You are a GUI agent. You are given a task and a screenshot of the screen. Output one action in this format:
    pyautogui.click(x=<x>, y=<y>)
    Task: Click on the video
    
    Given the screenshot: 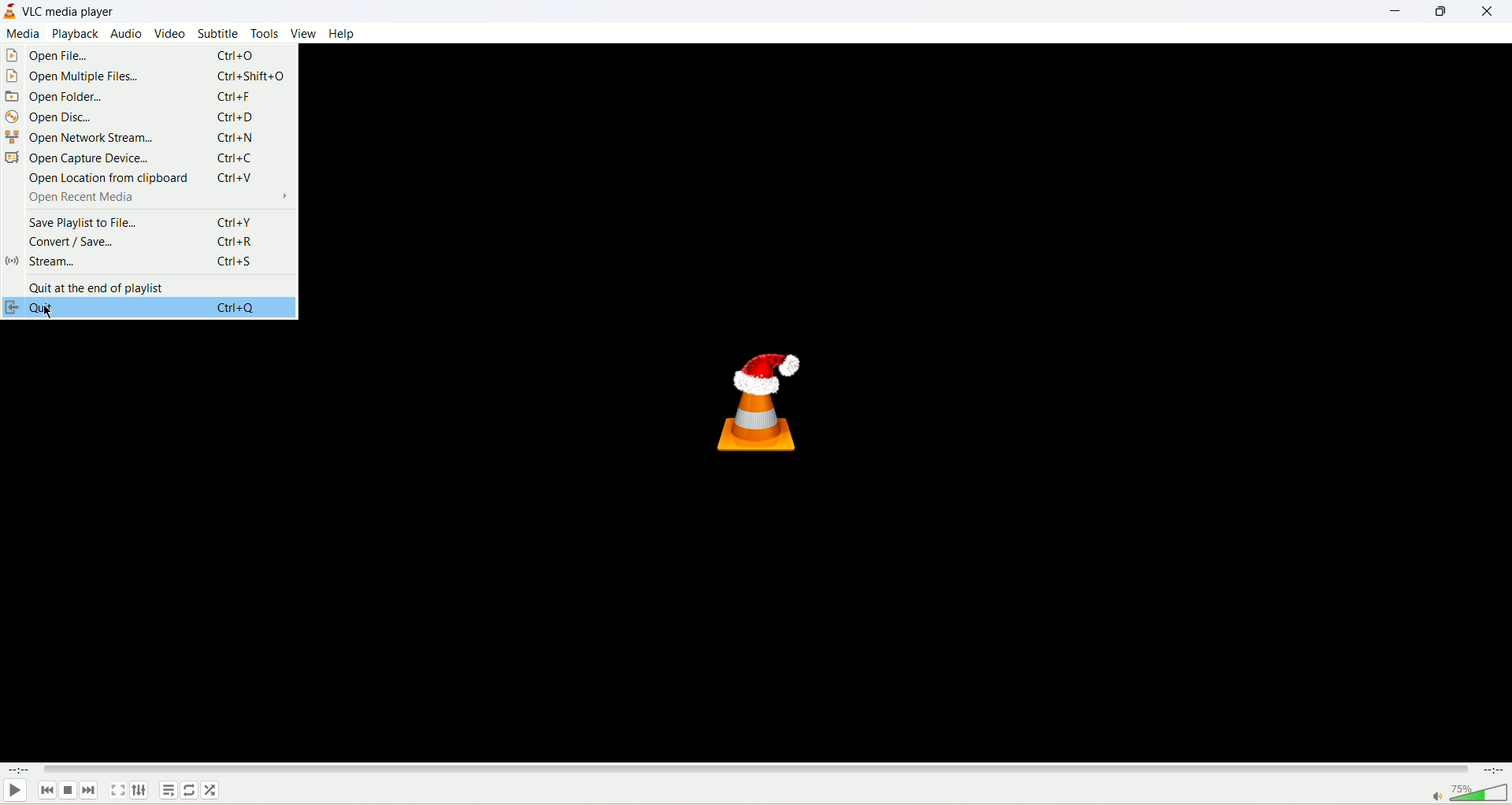 What is the action you would take?
    pyautogui.click(x=169, y=35)
    